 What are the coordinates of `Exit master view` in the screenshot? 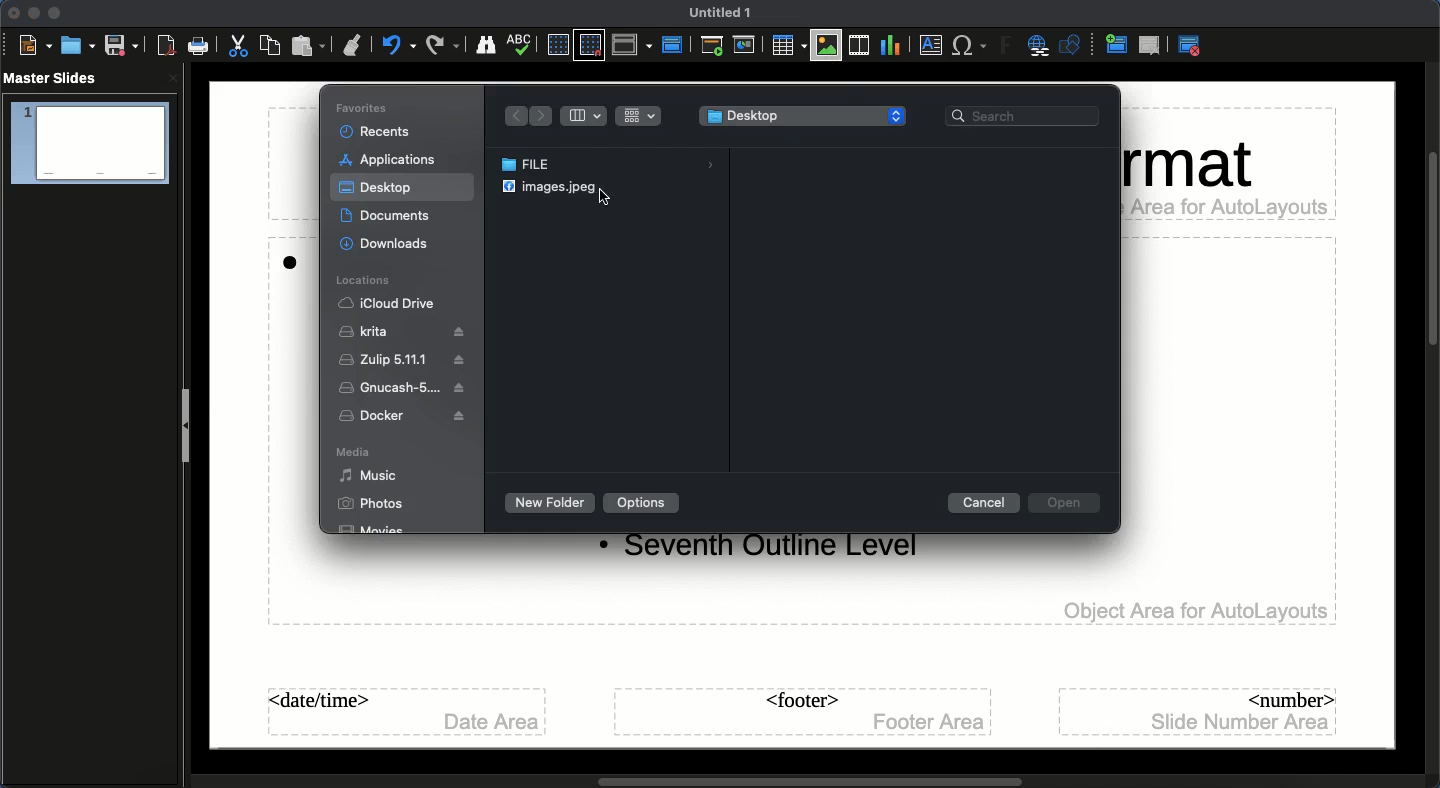 It's located at (1189, 47).